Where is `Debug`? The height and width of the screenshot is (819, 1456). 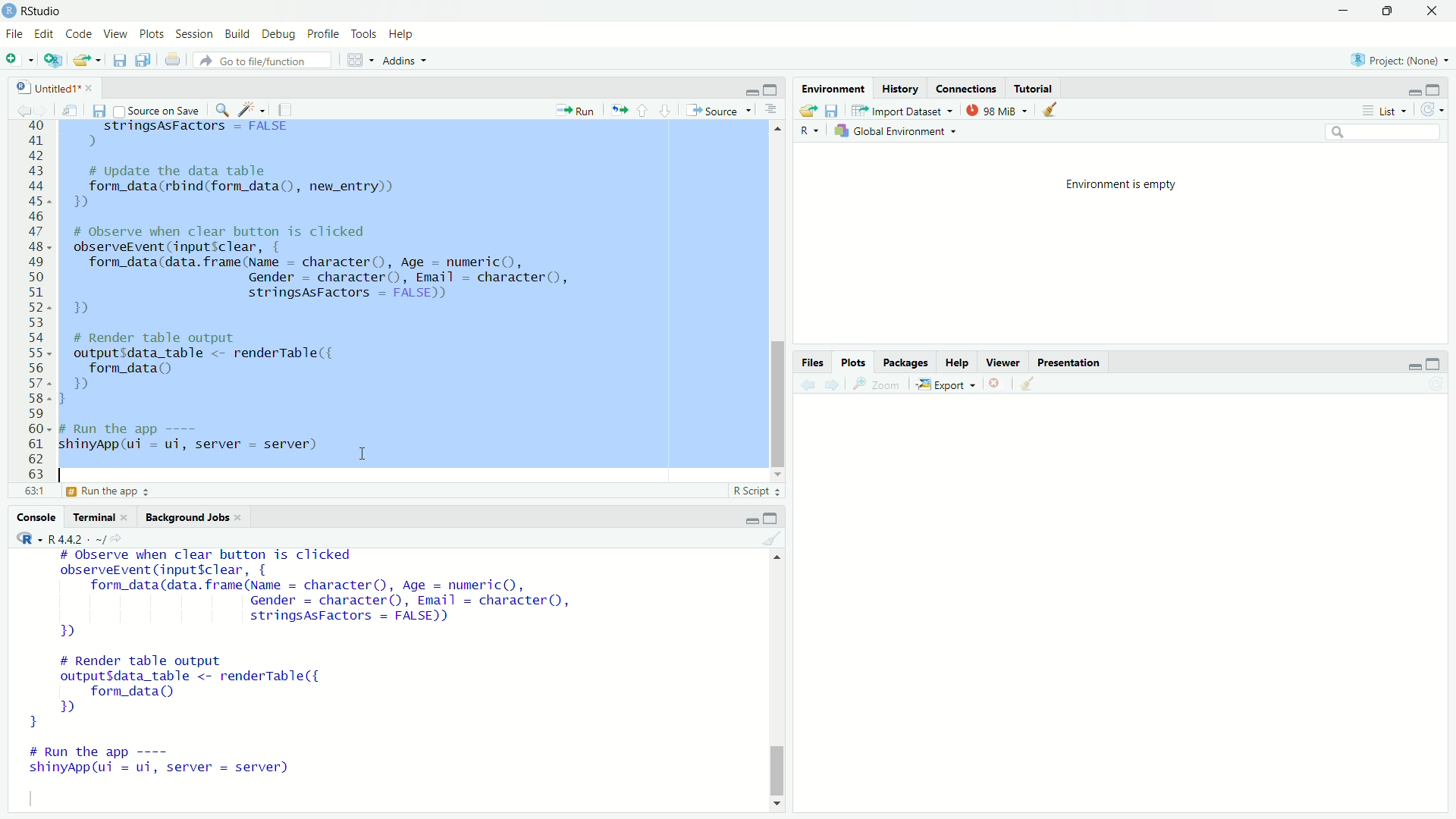 Debug is located at coordinates (279, 34).